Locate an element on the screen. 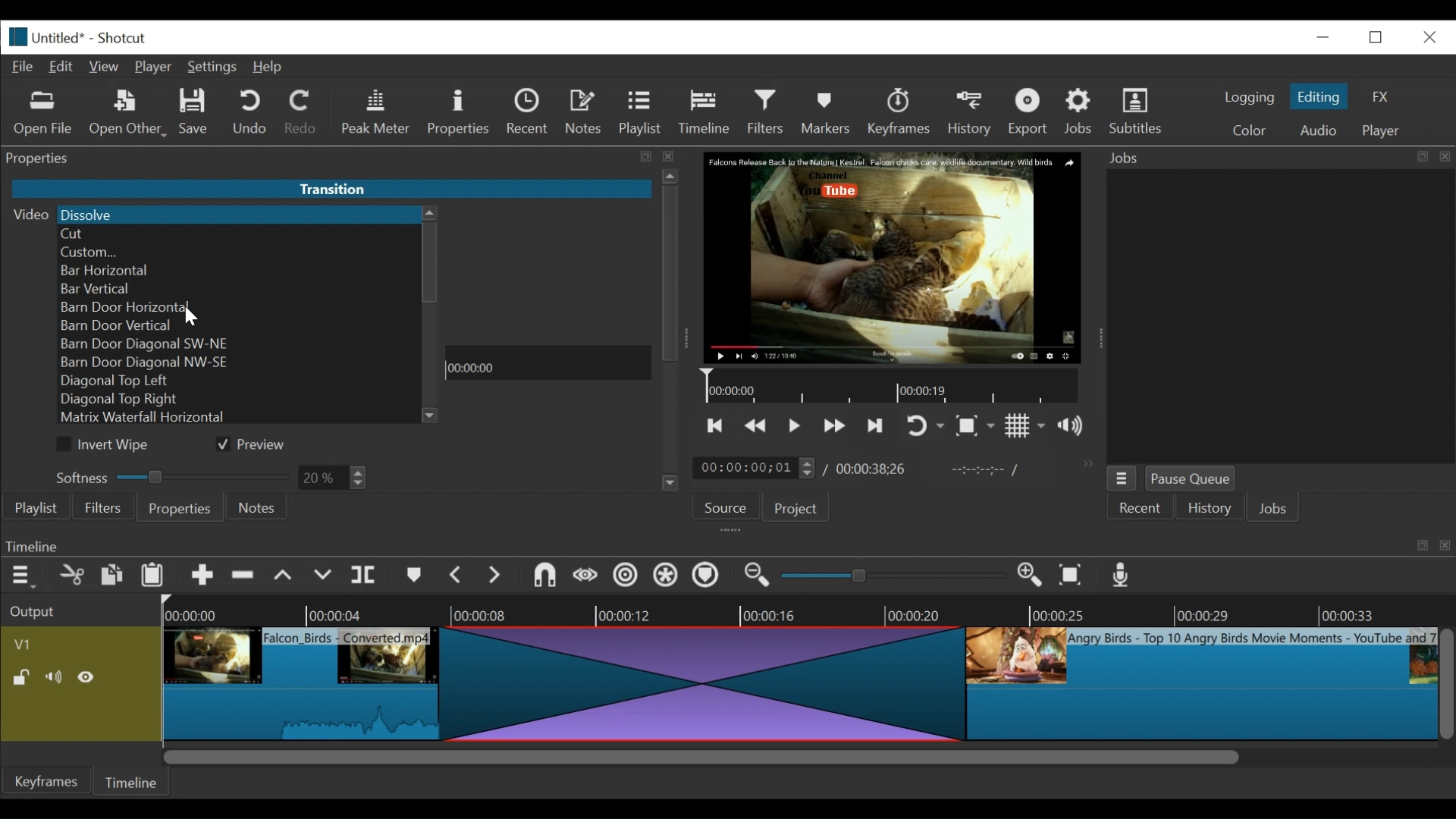 The height and width of the screenshot is (819, 1456). Open file is located at coordinates (43, 114).